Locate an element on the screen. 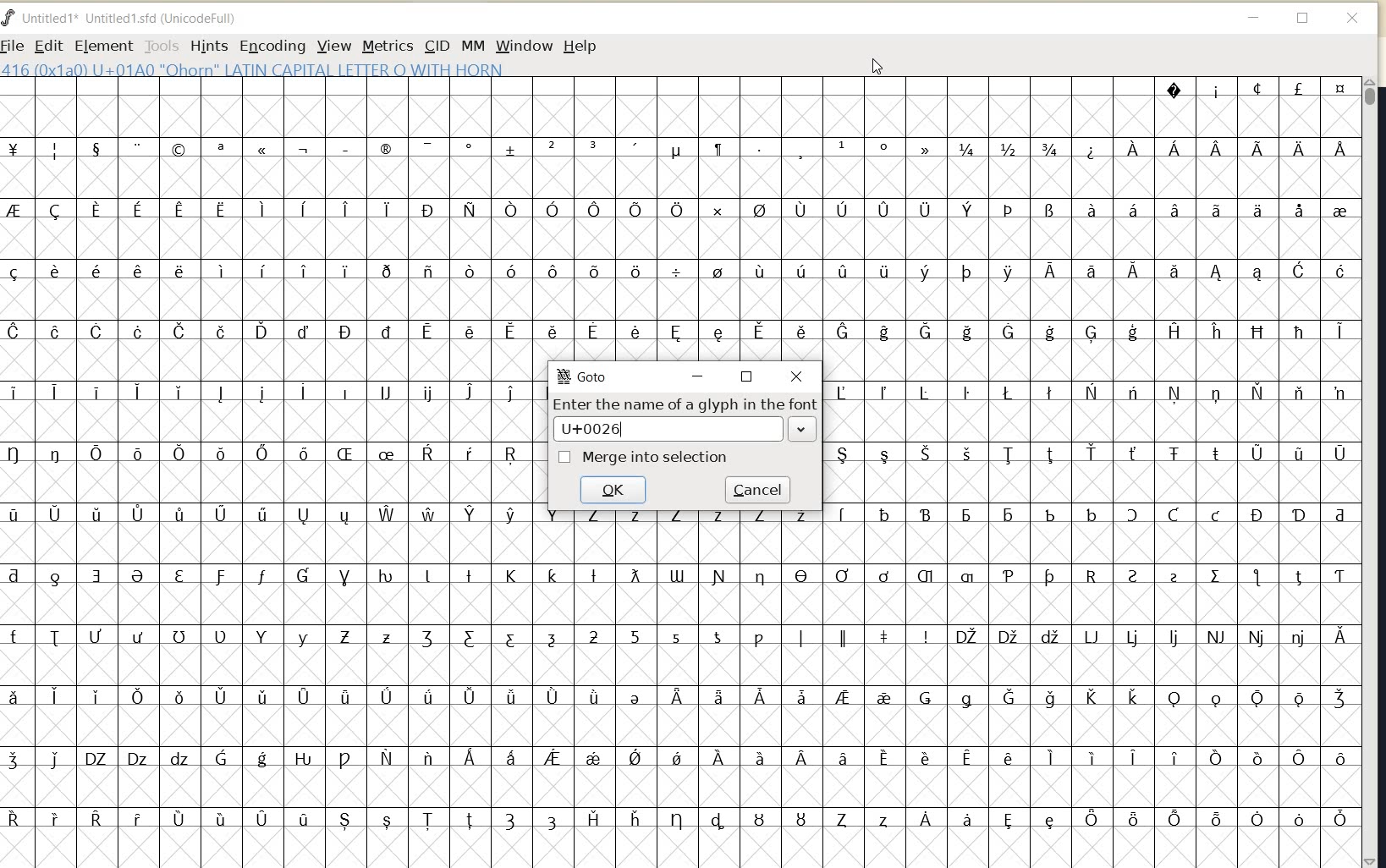 The height and width of the screenshot is (868, 1386). U+0026 is located at coordinates (602, 428).